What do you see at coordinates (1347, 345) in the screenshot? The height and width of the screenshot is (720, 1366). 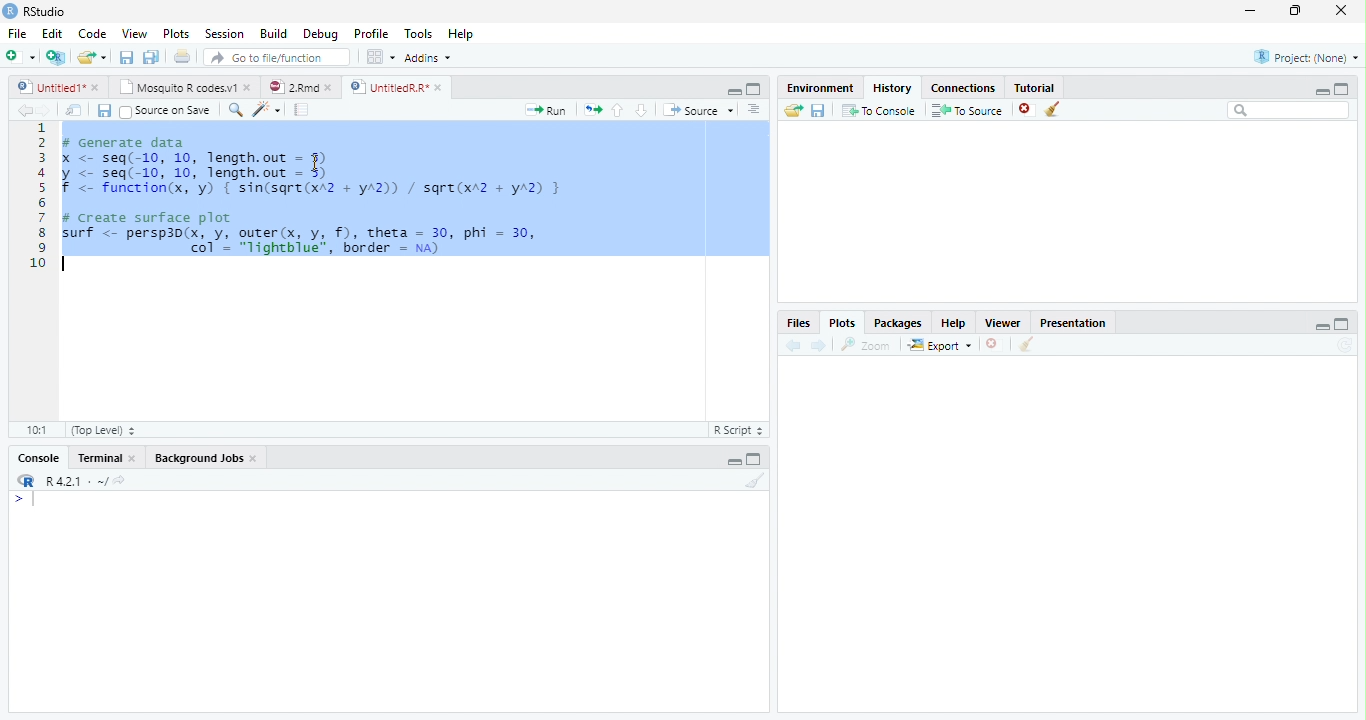 I see `Refresh current plot` at bounding box center [1347, 345].